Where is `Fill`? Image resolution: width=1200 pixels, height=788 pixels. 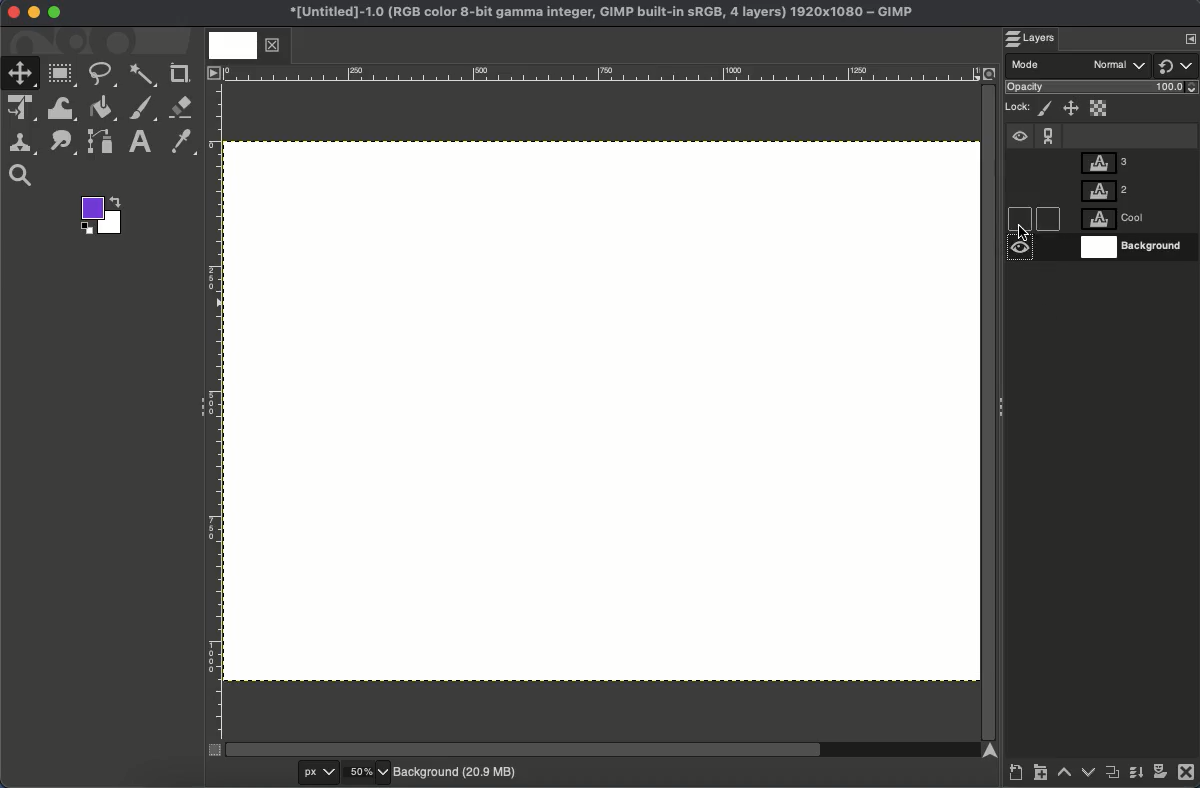
Fill is located at coordinates (103, 108).